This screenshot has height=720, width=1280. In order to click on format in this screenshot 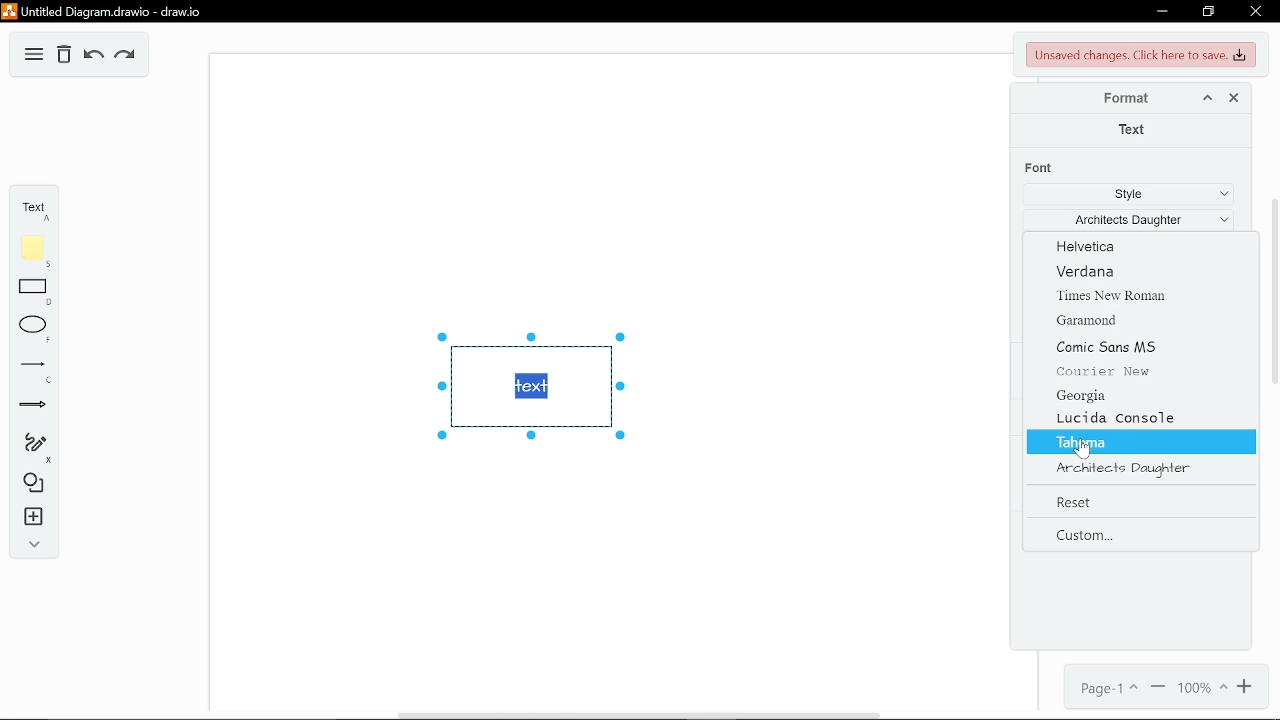, I will do `click(1127, 100)`.